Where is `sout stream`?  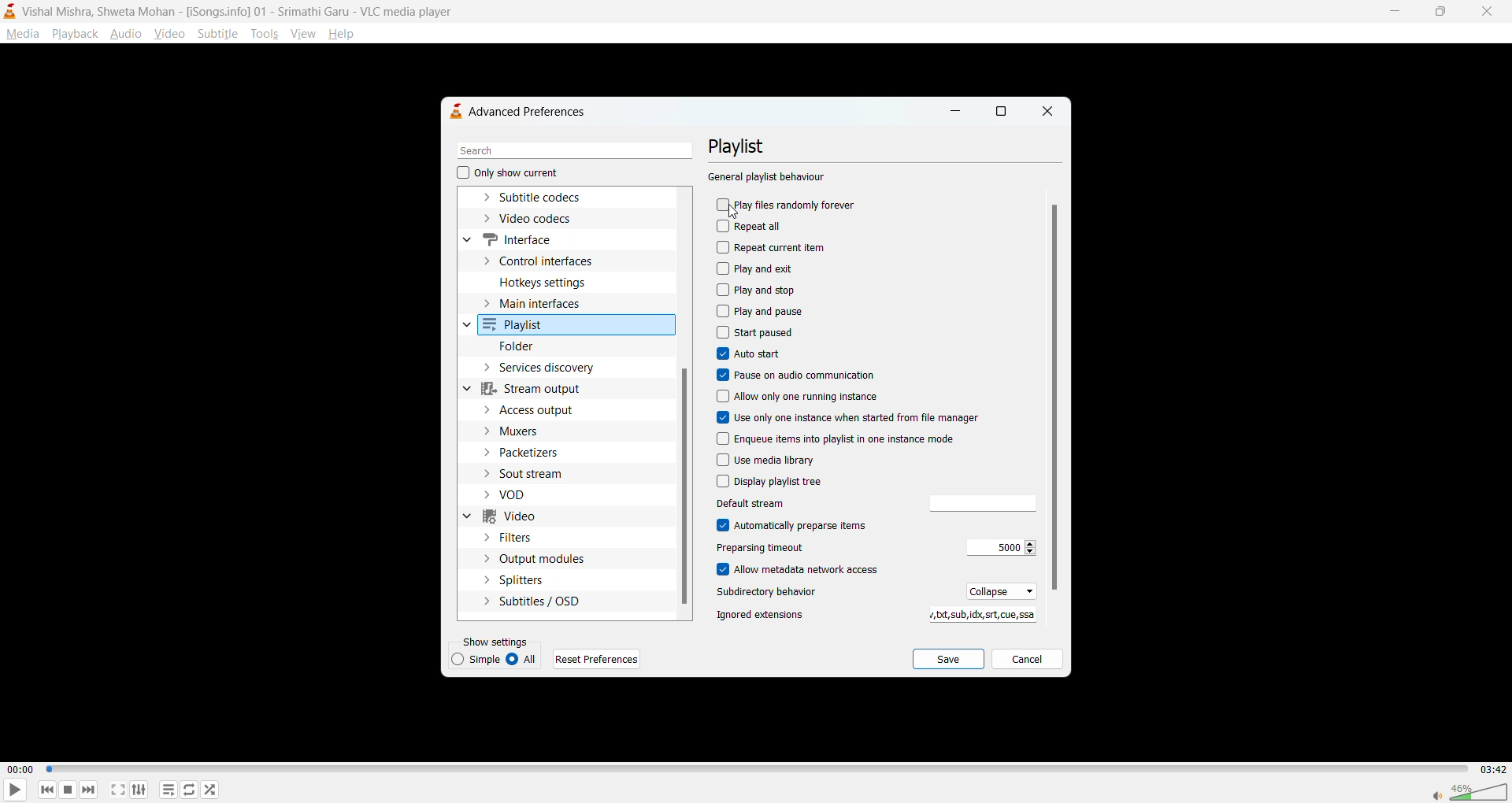 sout stream is located at coordinates (536, 472).